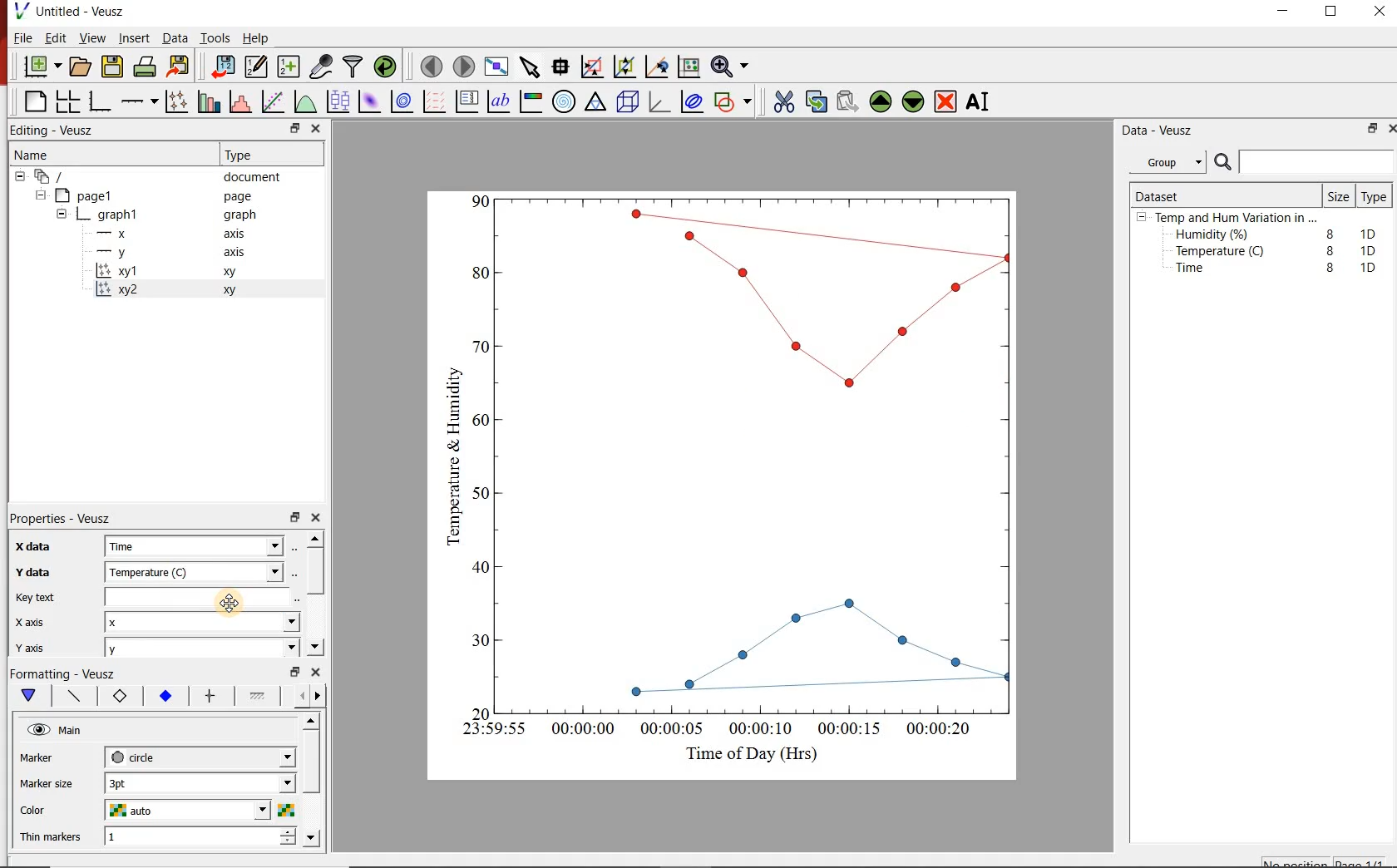 The image size is (1397, 868). I want to click on Editing - Veusz, so click(57, 130).